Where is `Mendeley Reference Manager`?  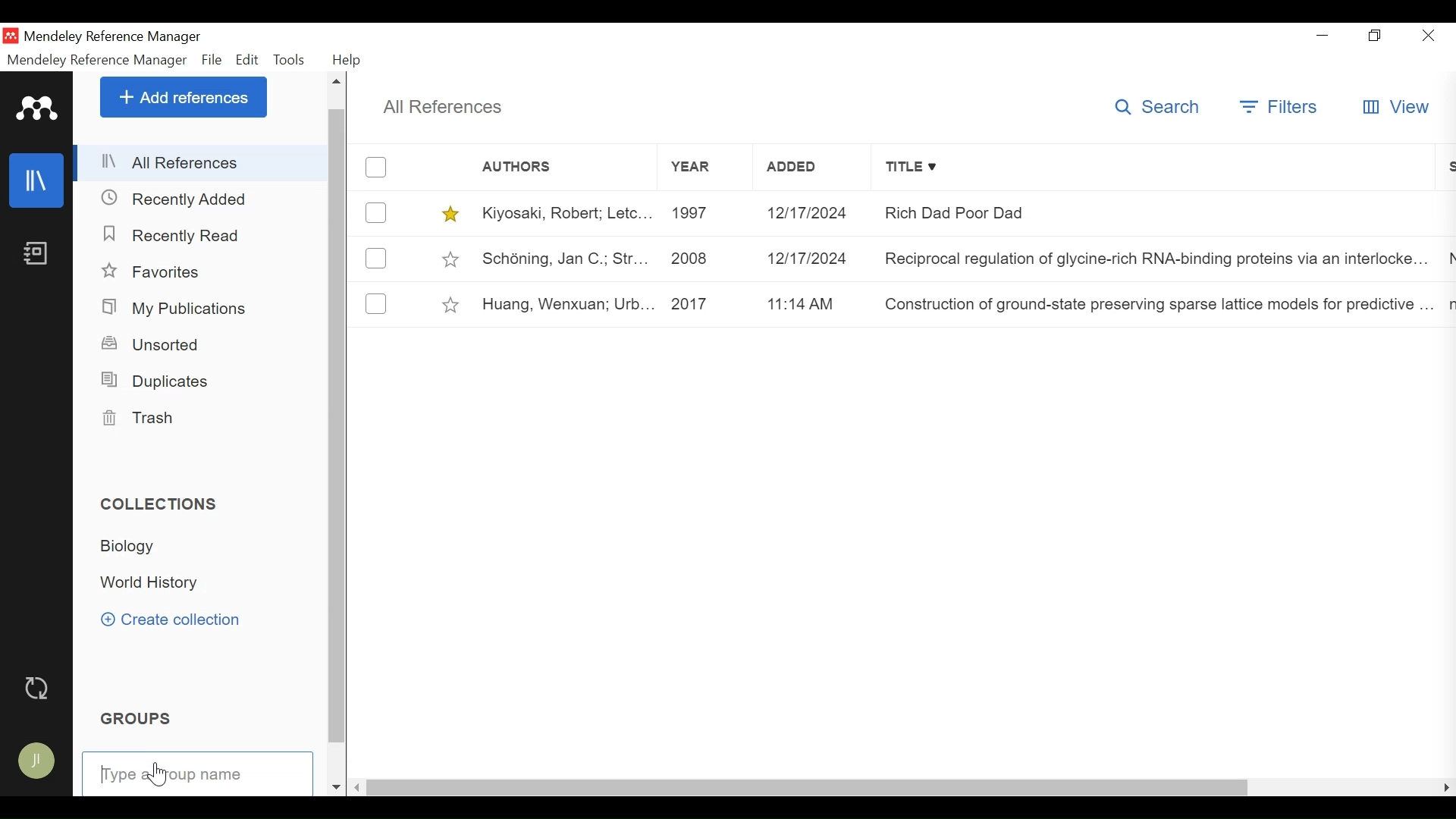
Mendeley Reference Manager is located at coordinates (98, 60).